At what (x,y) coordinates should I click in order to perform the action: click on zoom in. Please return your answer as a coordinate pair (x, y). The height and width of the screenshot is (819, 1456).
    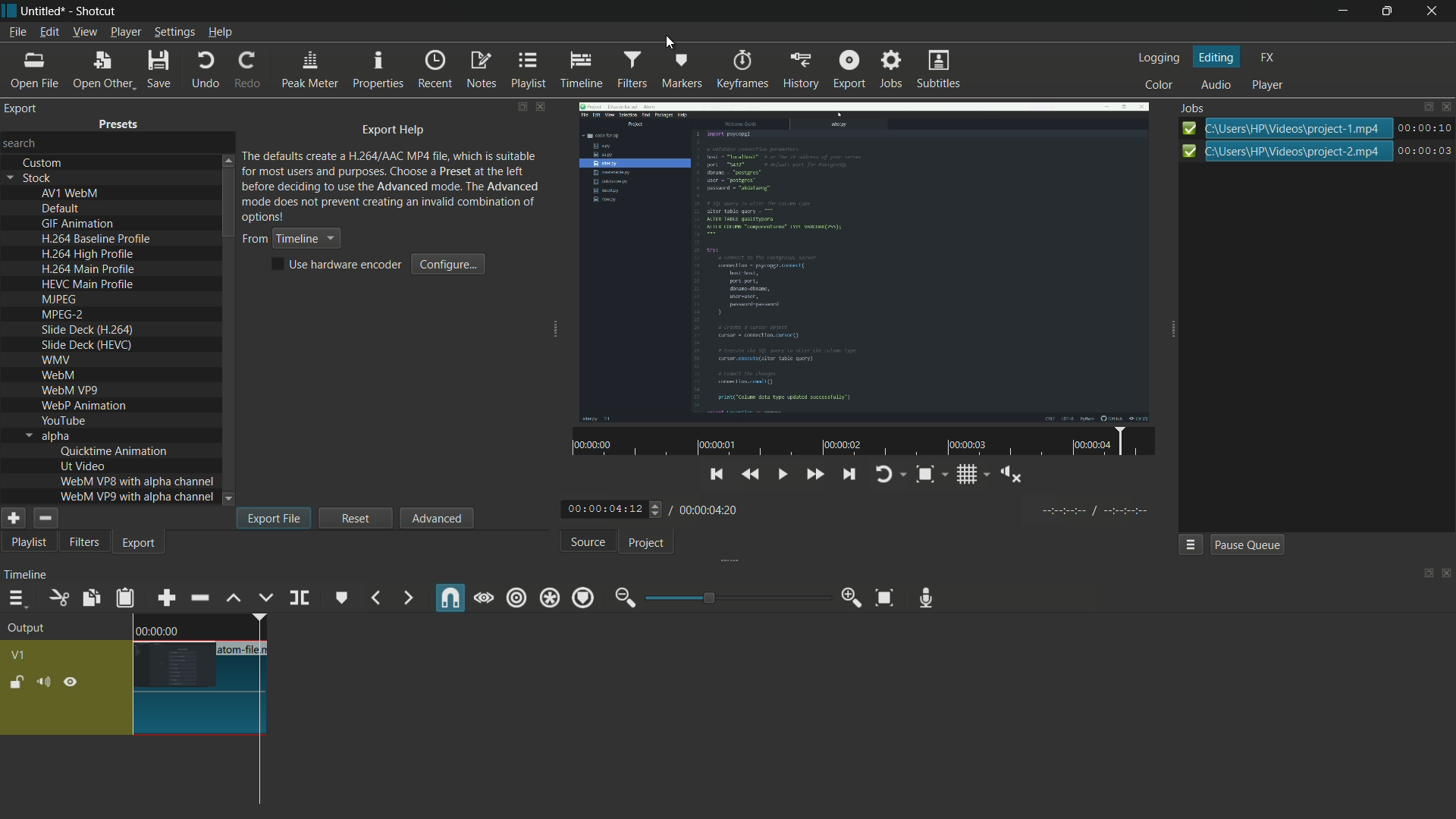
    Looking at the image, I should click on (852, 598).